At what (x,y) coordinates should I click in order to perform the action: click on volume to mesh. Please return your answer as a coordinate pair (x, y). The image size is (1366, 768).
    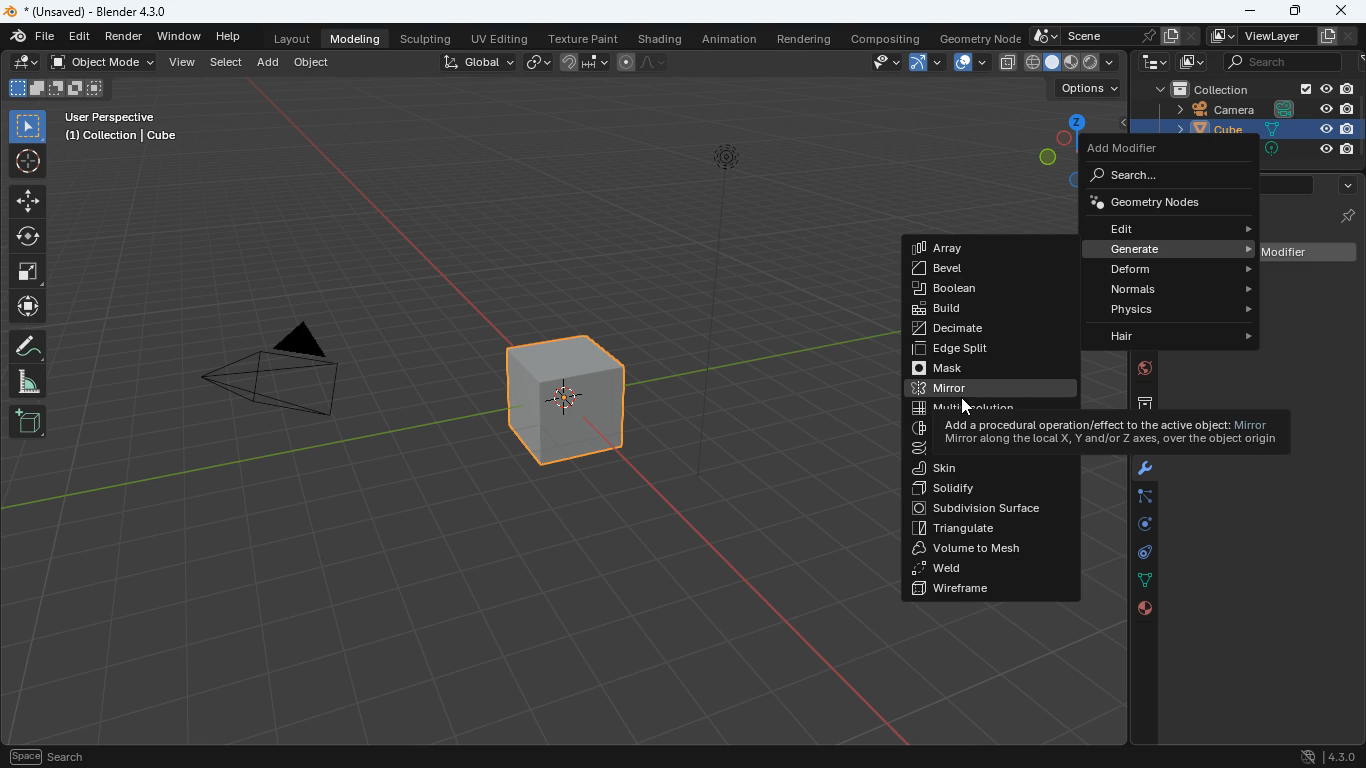
    Looking at the image, I should click on (985, 549).